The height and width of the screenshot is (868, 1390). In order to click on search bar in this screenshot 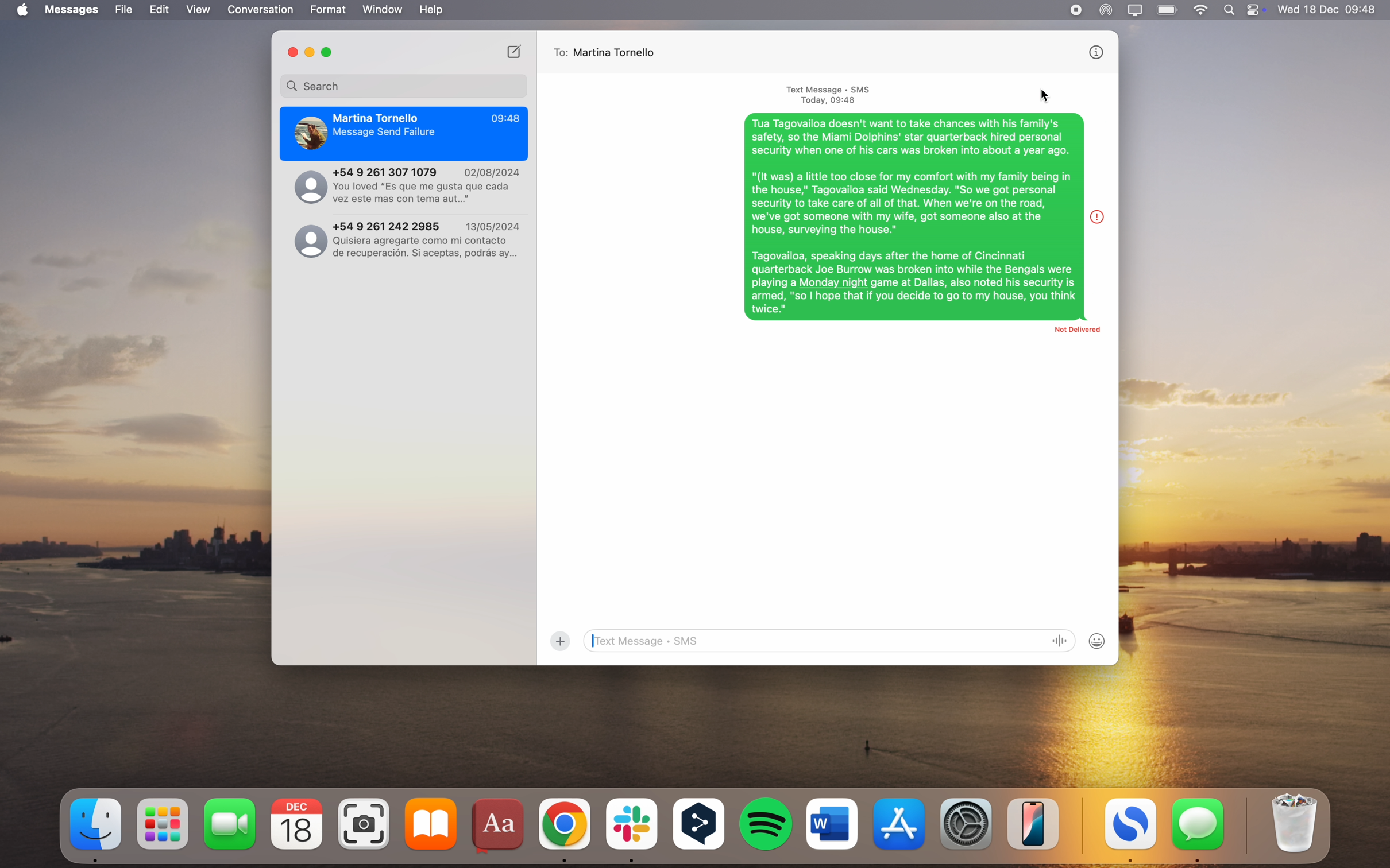, I will do `click(404, 86)`.